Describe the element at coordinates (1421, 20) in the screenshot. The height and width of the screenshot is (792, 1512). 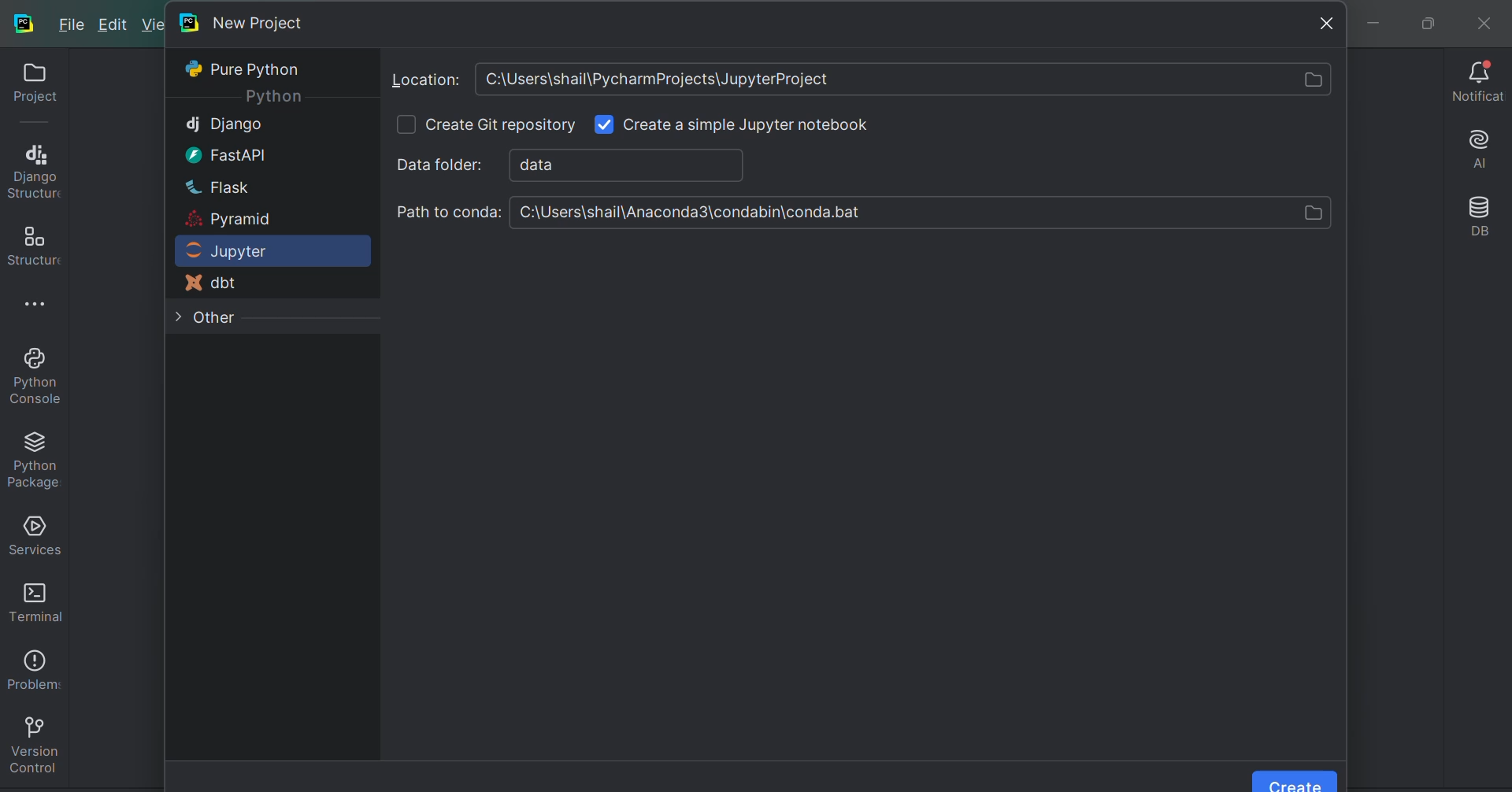
I see `maximise` at that location.